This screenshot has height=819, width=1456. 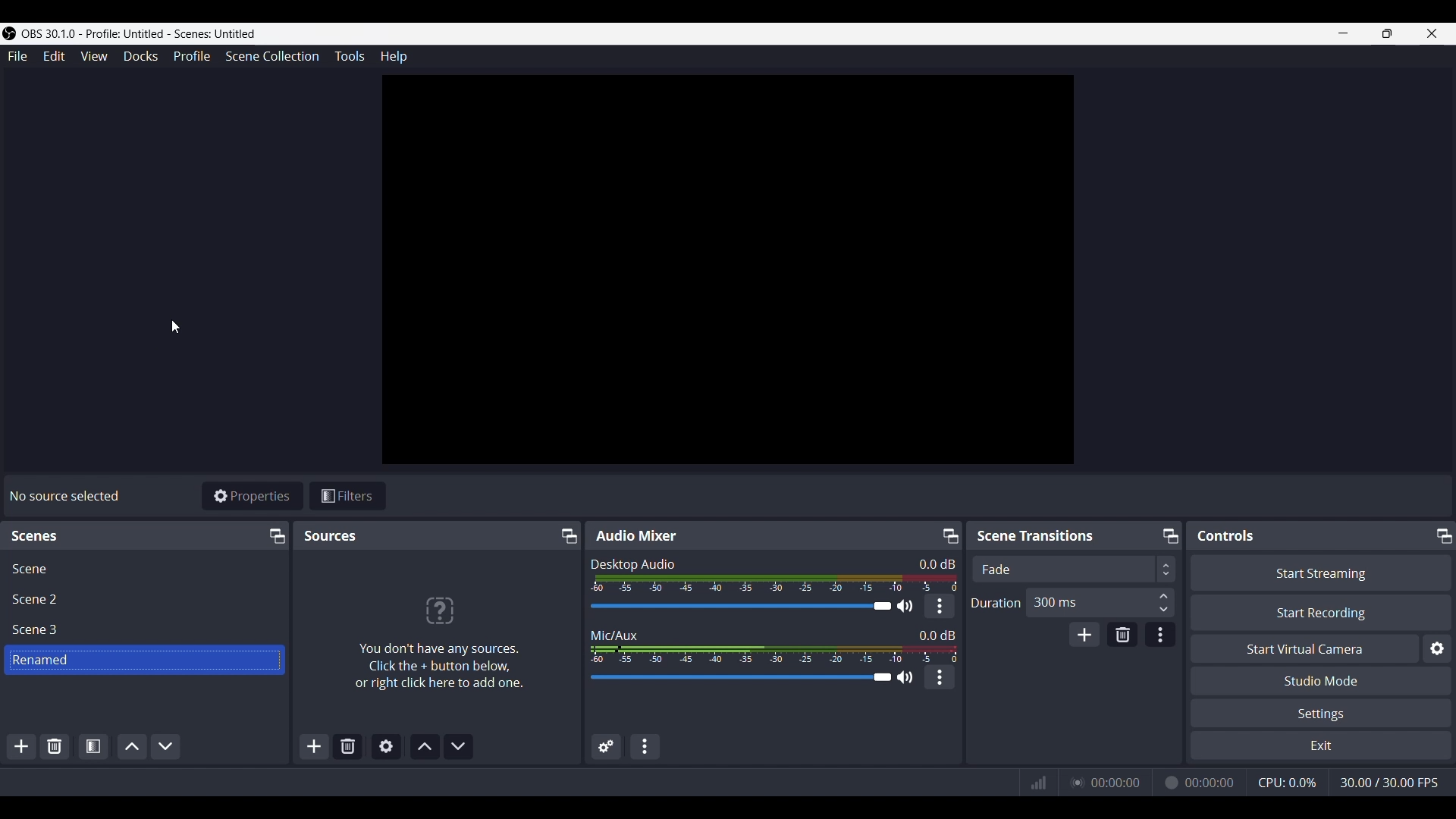 I want to click on Properties, so click(x=252, y=495).